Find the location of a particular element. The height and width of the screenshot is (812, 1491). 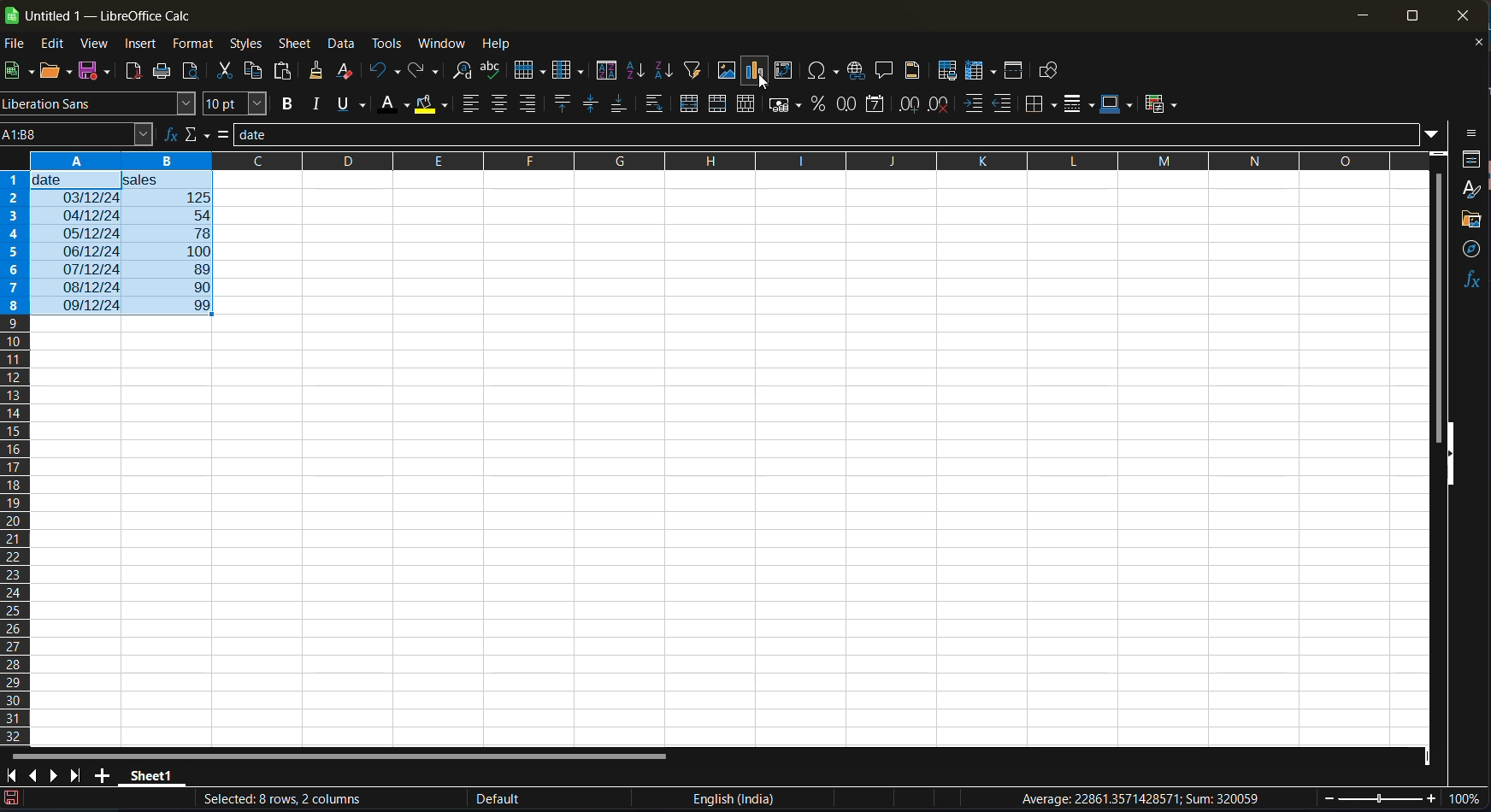

selected range is located at coordinates (121, 244).